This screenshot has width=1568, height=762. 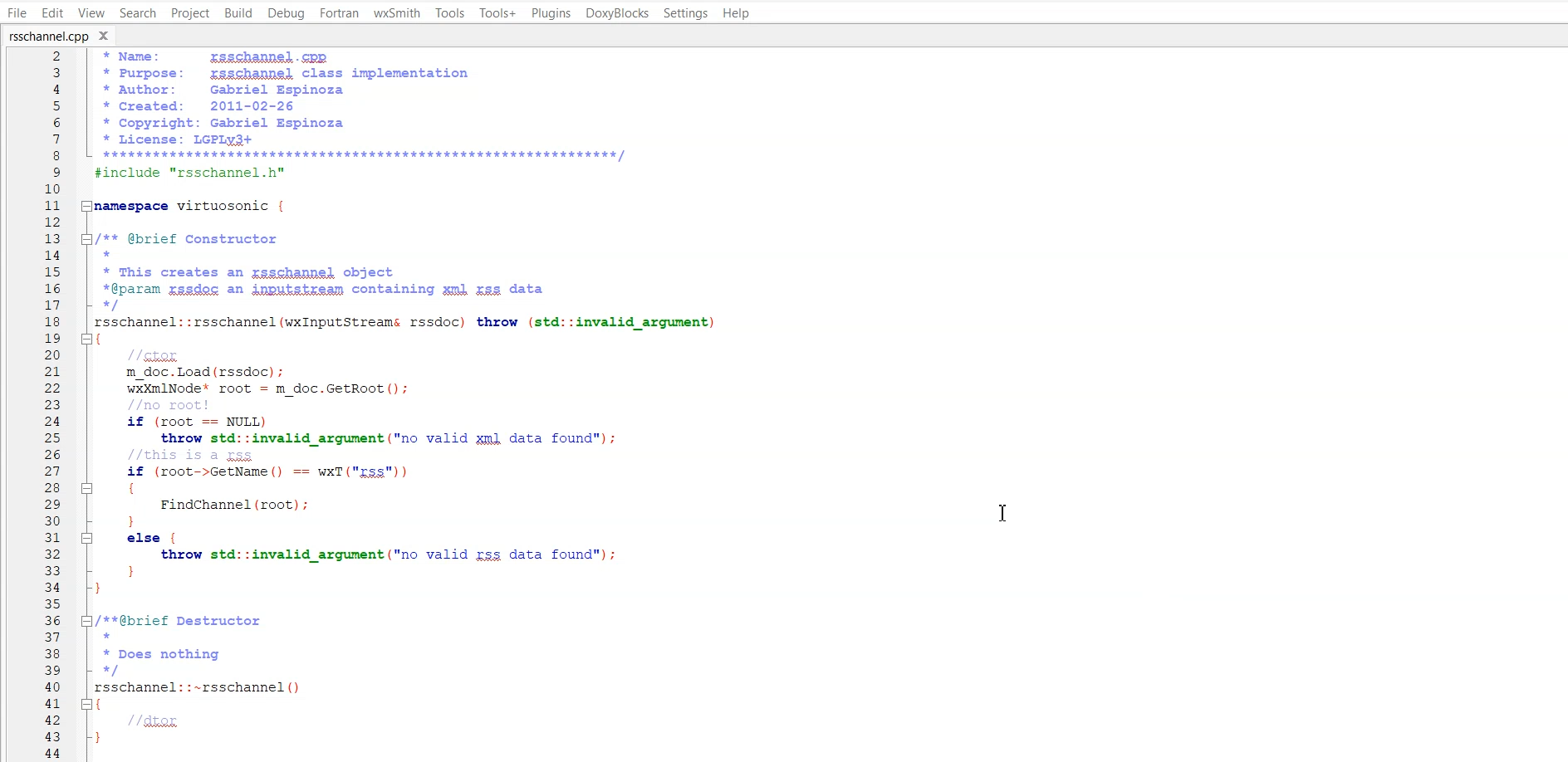 What do you see at coordinates (617, 12) in the screenshot?
I see `DoxyBlocks` at bounding box center [617, 12].